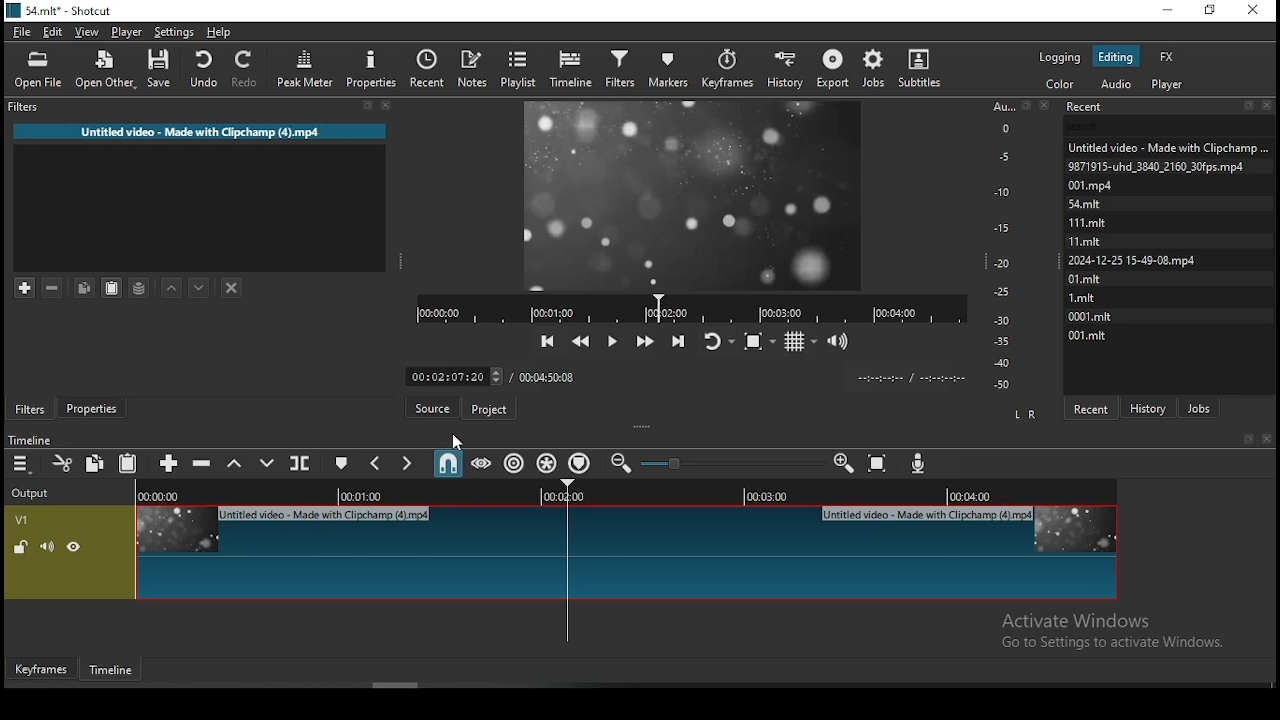 The height and width of the screenshot is (720, 1280). What do you see at coordinates (200, 132) in the screenshot?
I see `Untitled video - Made with Clipchamp (4).mp4` at bounding box center [200, 132].